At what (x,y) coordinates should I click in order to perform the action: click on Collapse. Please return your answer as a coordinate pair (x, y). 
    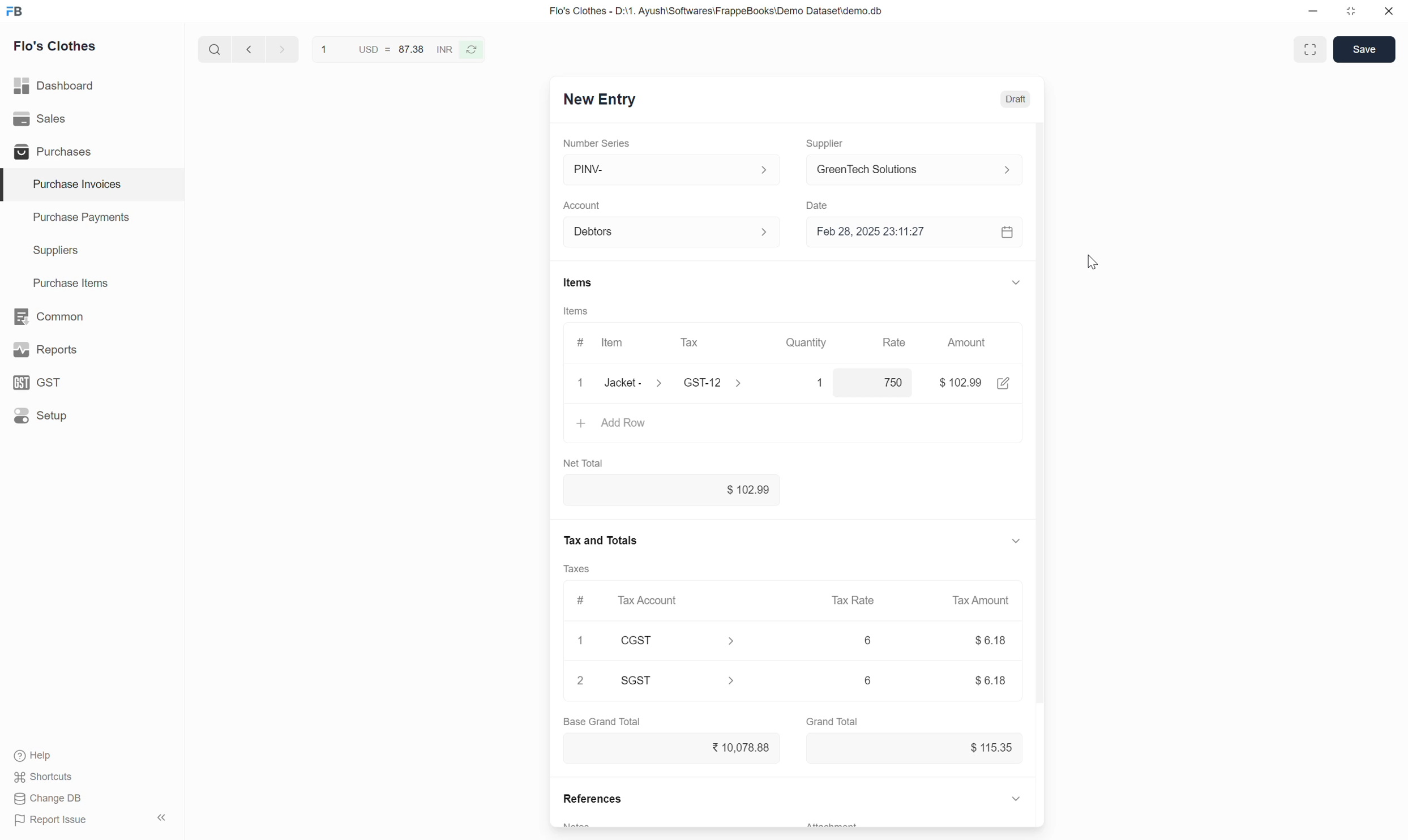
    Looking at the image, I should click on (162, 817).